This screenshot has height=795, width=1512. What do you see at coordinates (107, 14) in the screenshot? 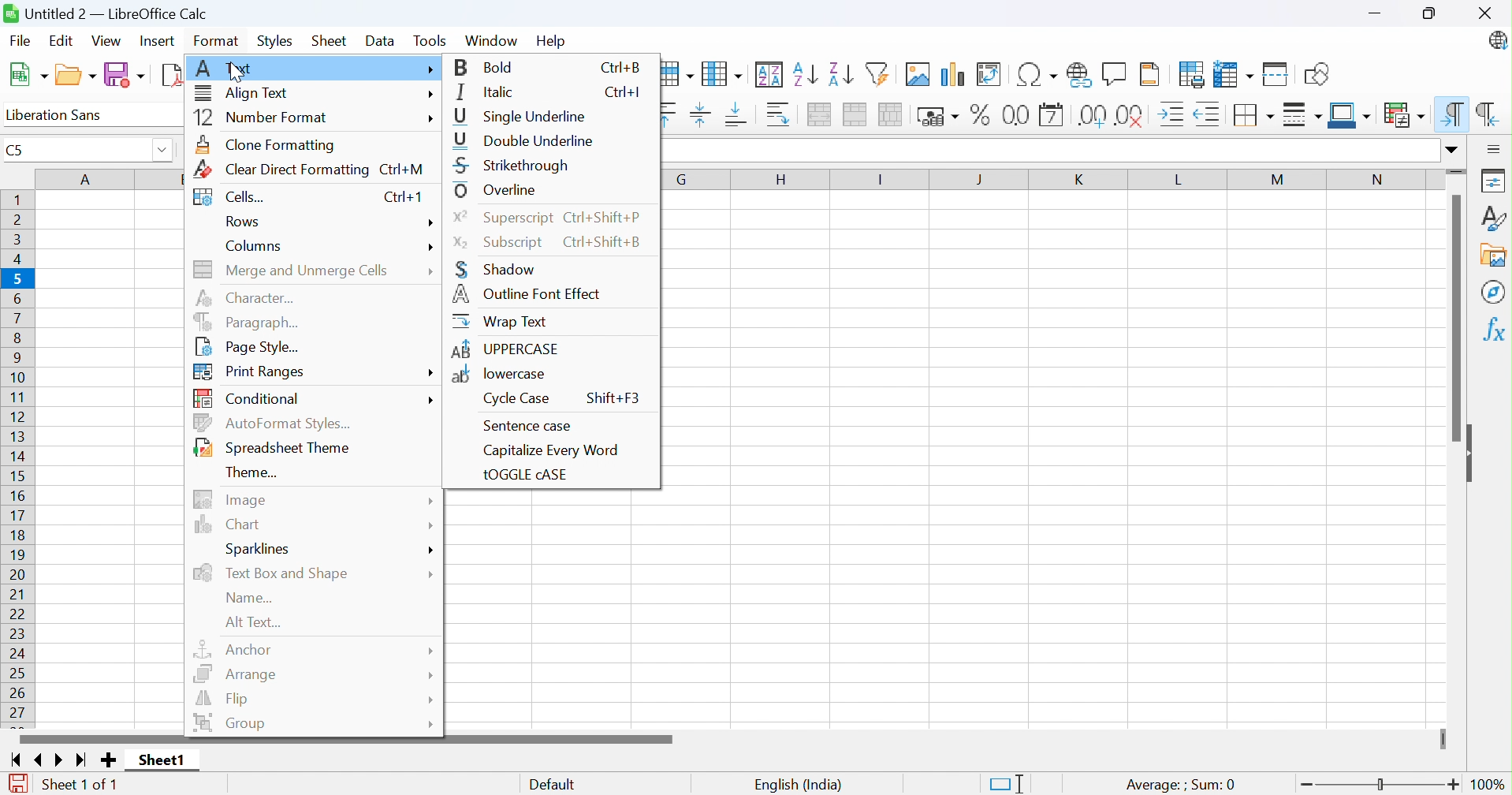
I see `Untitled 2 - LibreOffice Calc` at bounding box center [107, 14].